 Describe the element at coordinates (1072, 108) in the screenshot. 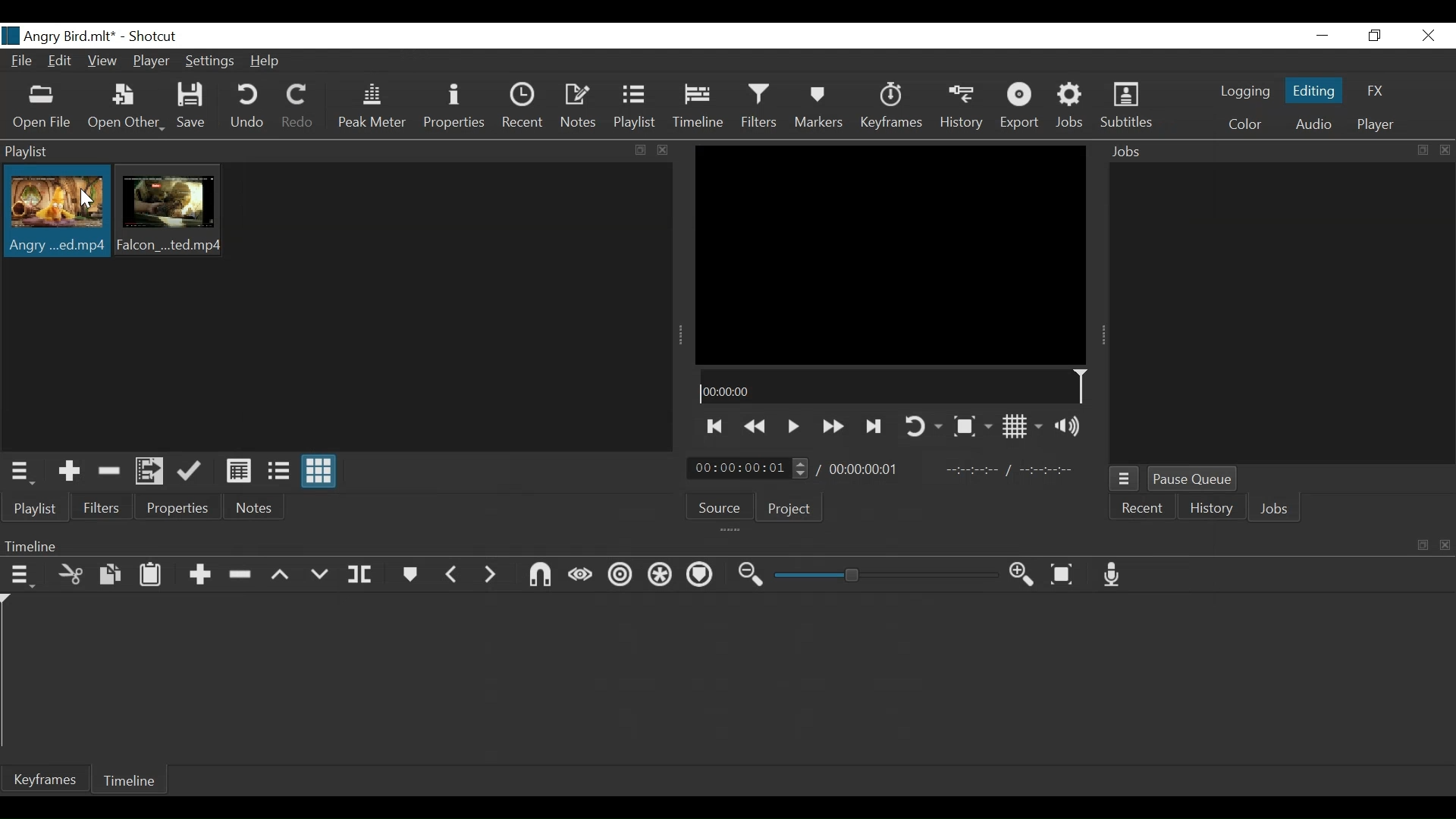

I see `Jobs` at that location.